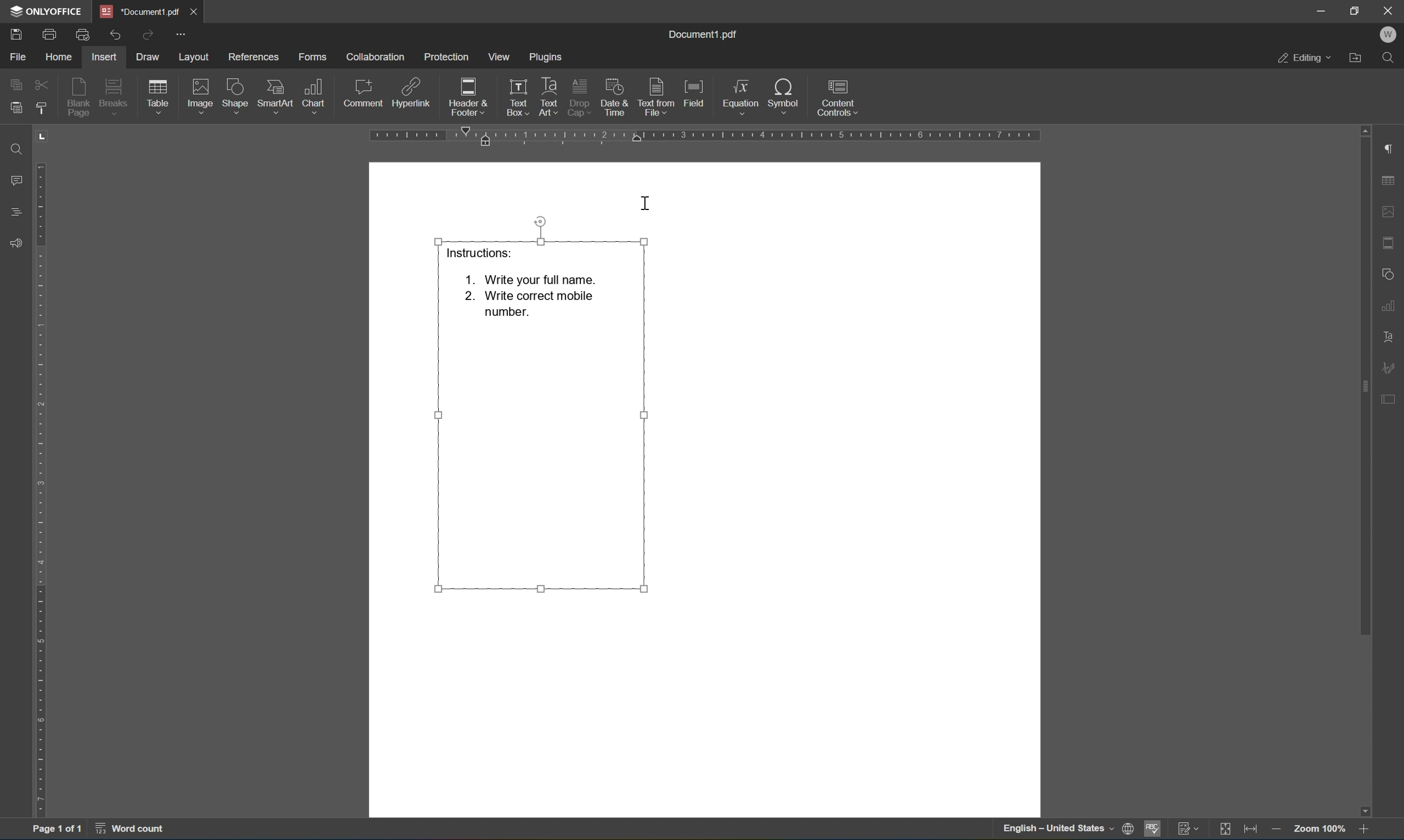  I want to click on image, so click(202, 96).